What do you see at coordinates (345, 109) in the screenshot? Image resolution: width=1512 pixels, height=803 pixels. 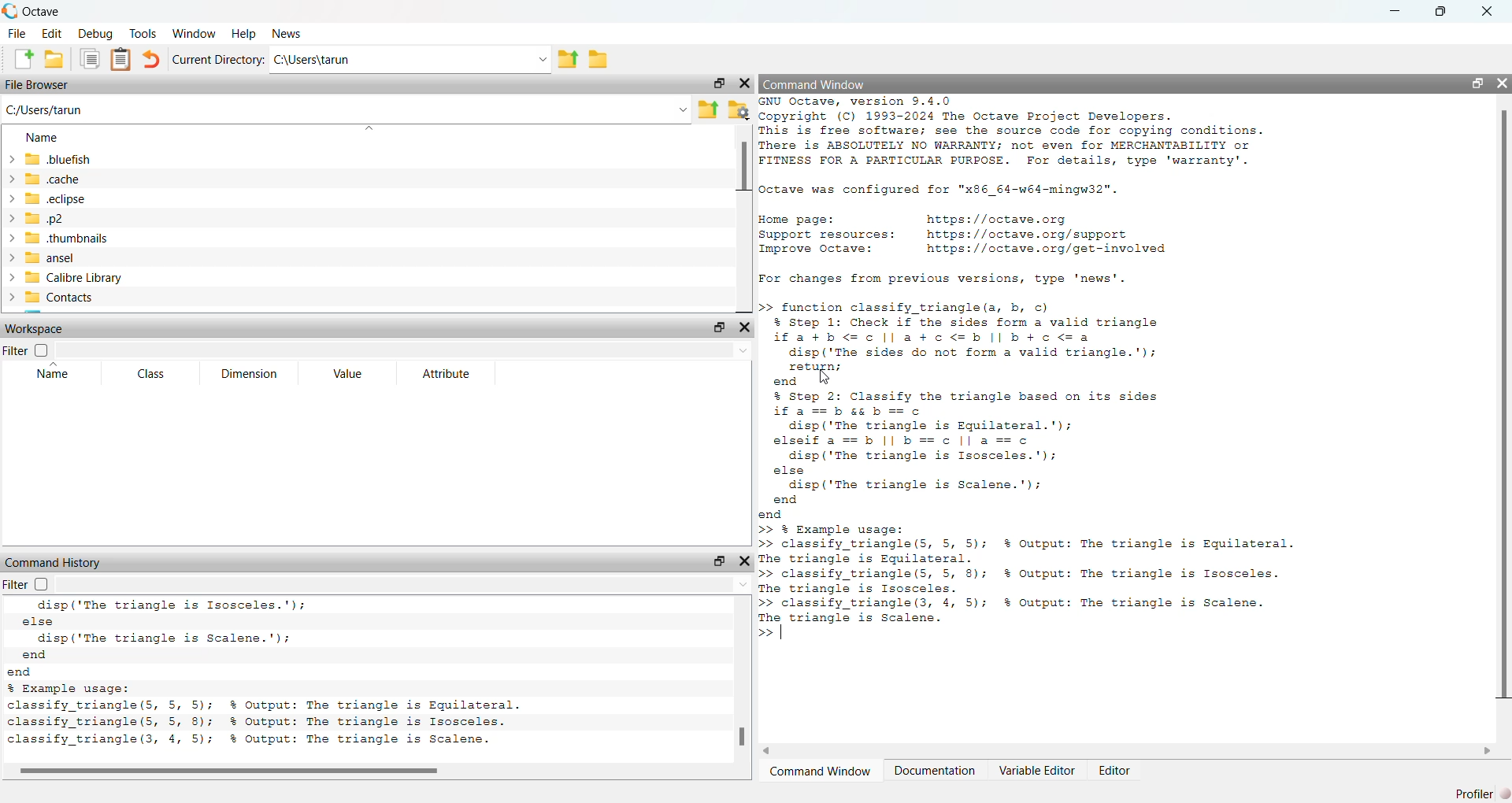 I see `enter the path or file name` at bounding box center [345, 109].